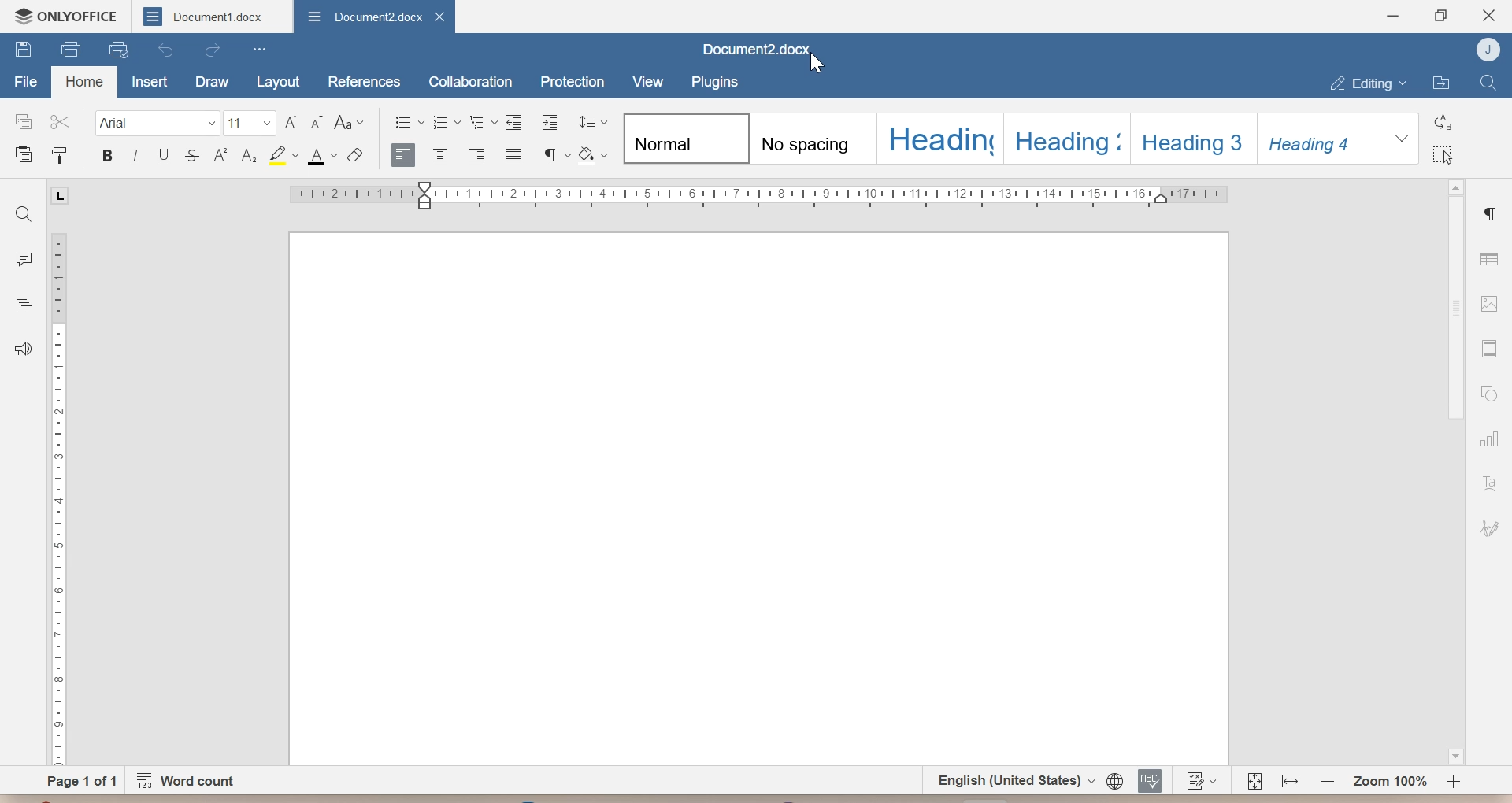 This screenshot has height=803, width=1512. I want to click on Insert, so click(150, 81).